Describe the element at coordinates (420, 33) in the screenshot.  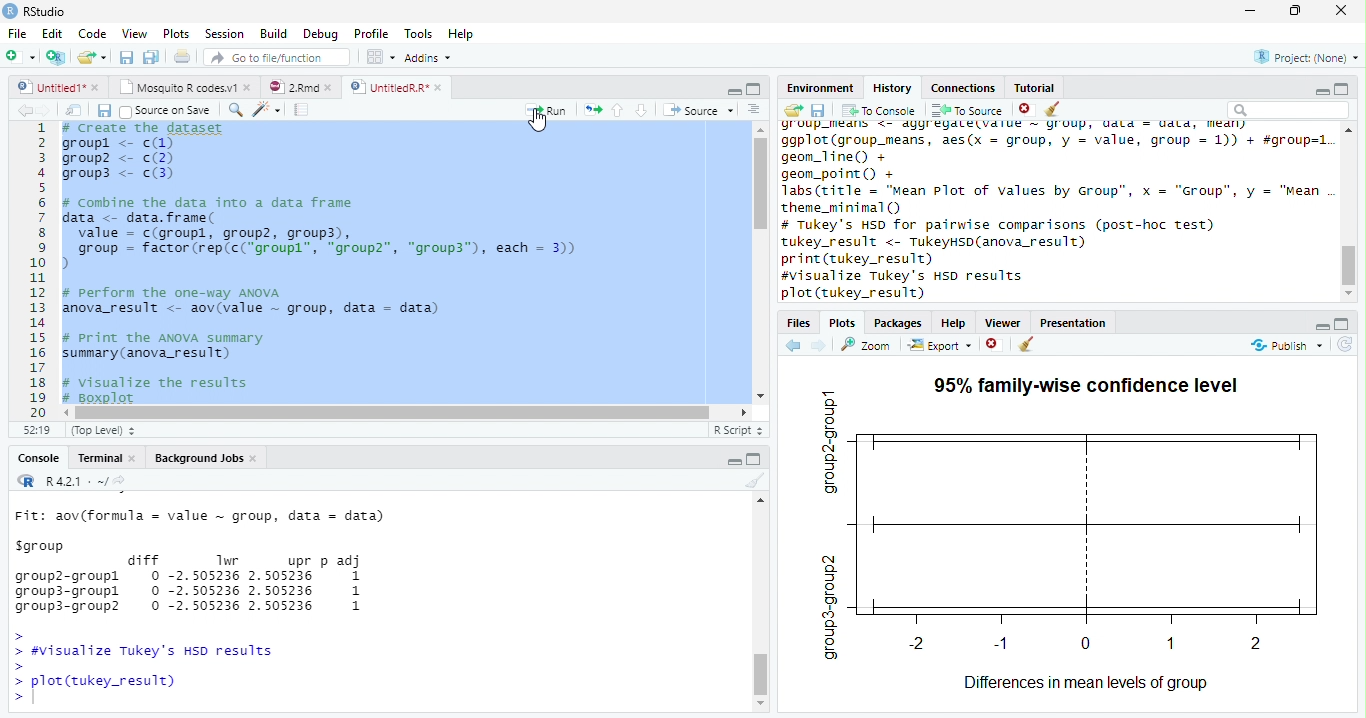
I see `Tools` at that location.